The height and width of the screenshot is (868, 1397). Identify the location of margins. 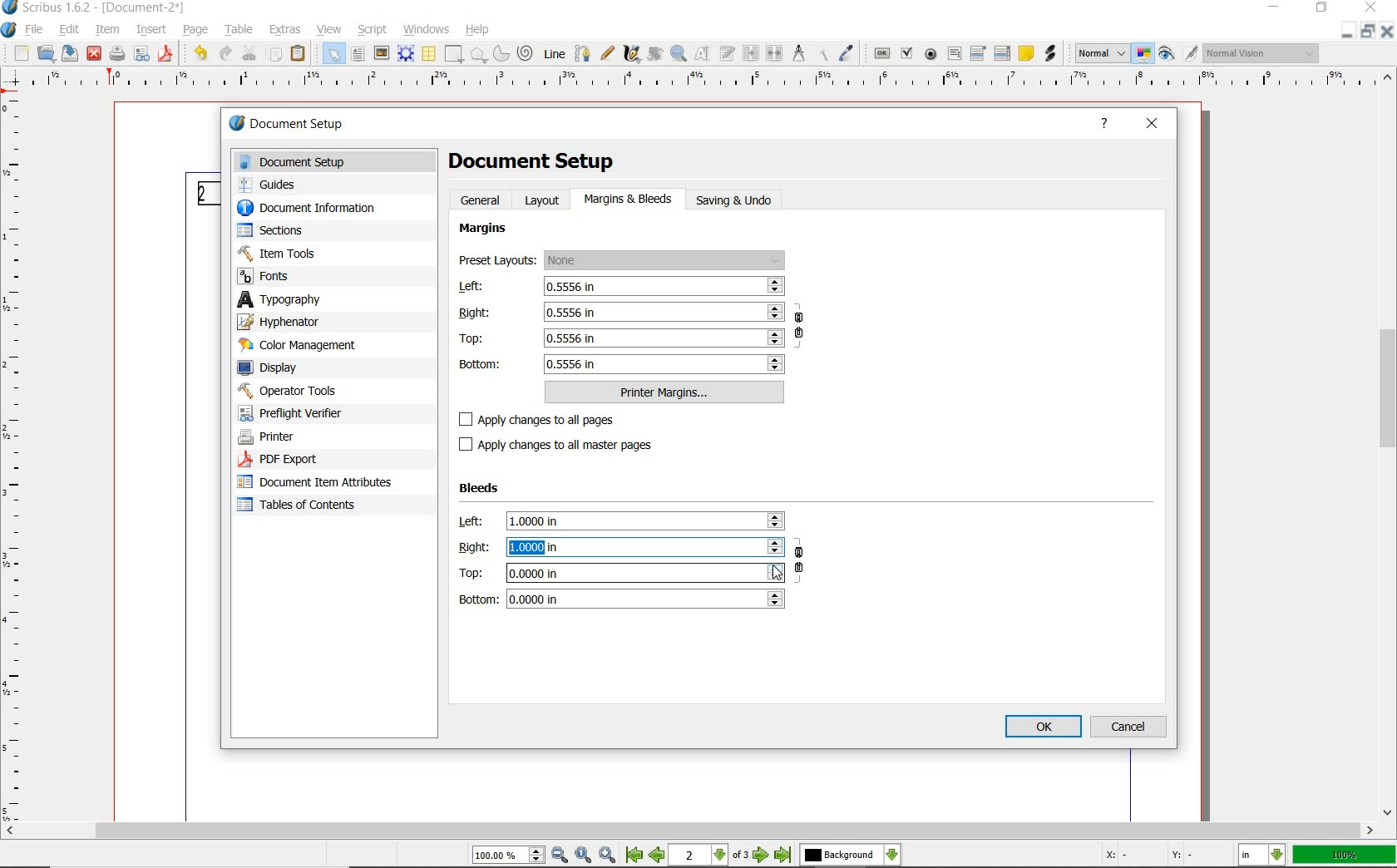
(486, 229).